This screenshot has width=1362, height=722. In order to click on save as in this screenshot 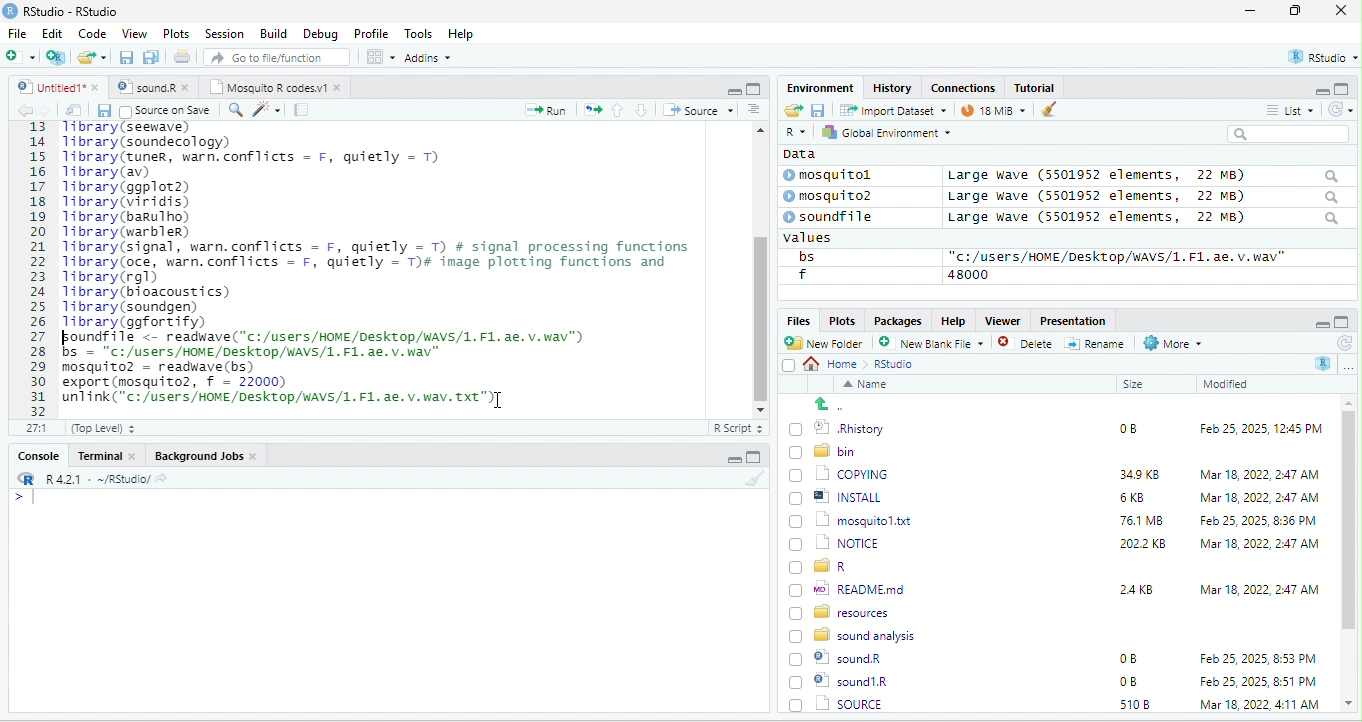, I will do `click(153, 58)`.